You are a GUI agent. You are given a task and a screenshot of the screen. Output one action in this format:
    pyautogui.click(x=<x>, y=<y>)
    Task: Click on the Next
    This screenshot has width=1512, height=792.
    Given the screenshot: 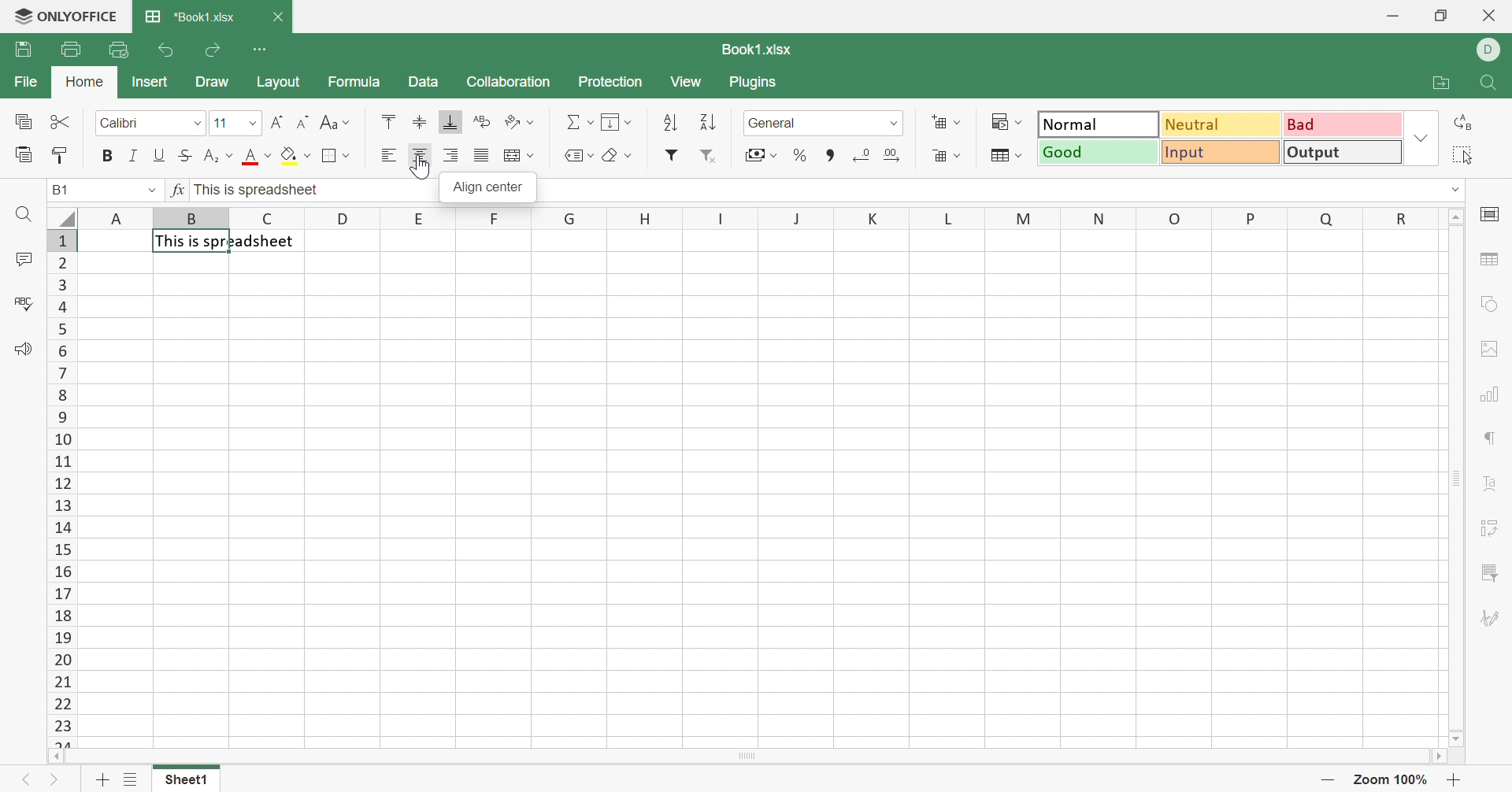 What is the action you would take?
    pyautogui.click(x=54, y=779)
    